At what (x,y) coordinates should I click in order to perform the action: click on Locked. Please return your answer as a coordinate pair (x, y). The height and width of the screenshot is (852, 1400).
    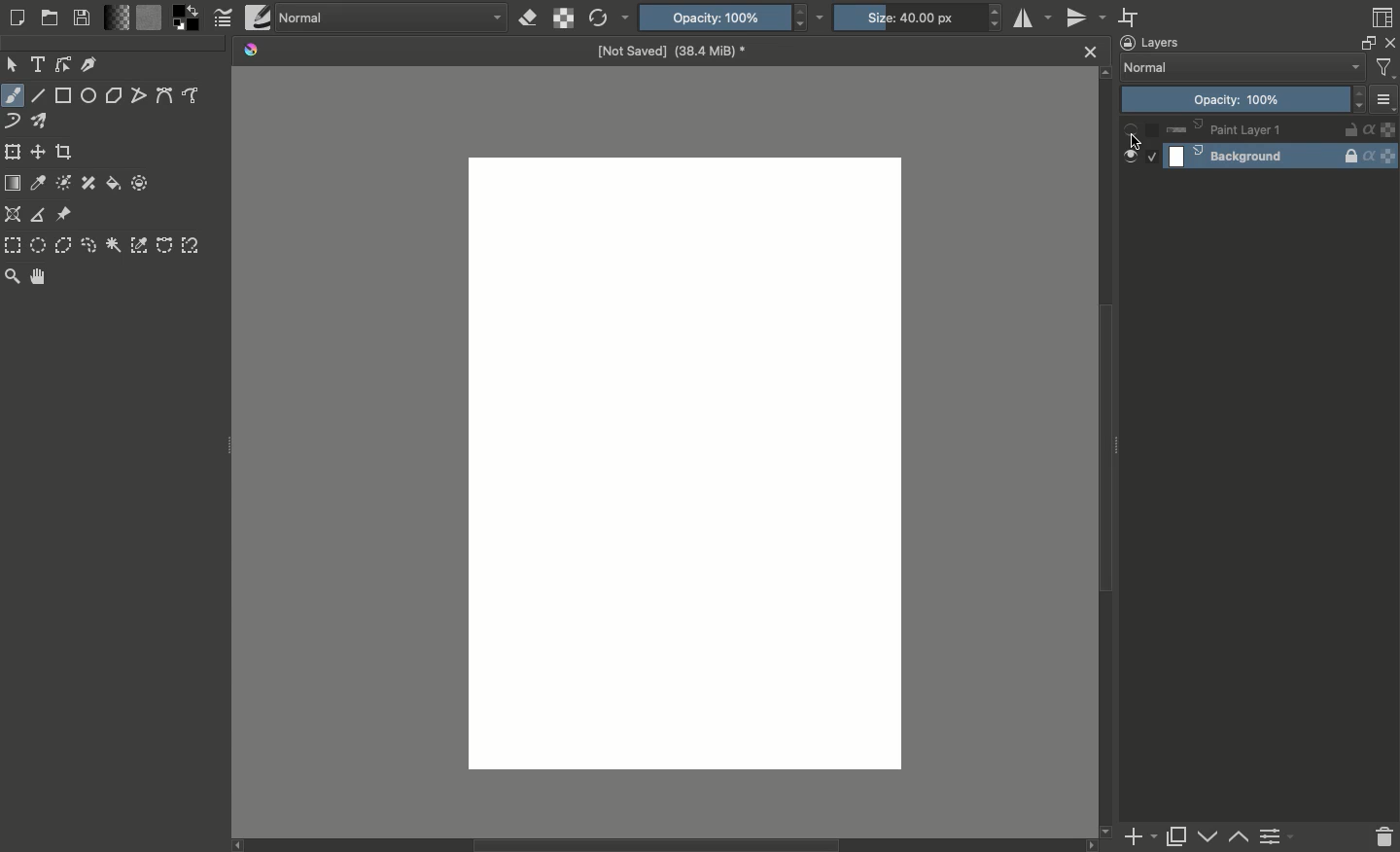
    Looking at the image, I should click on (1351, 157).